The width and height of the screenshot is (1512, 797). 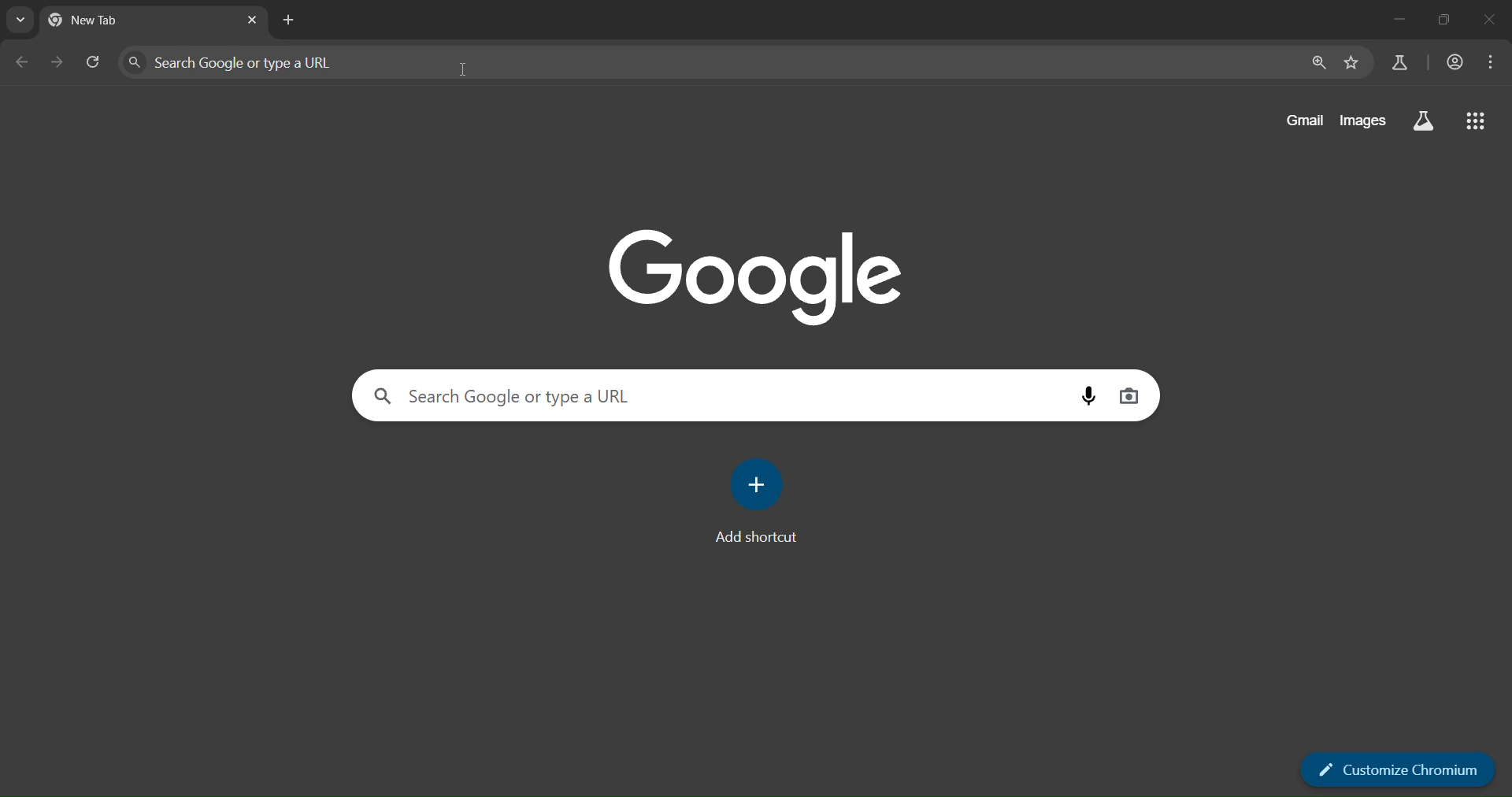 What do you see at coordinates (95, 61) in the screenshot?
I see `reload page` at bounding box center [95, 61].